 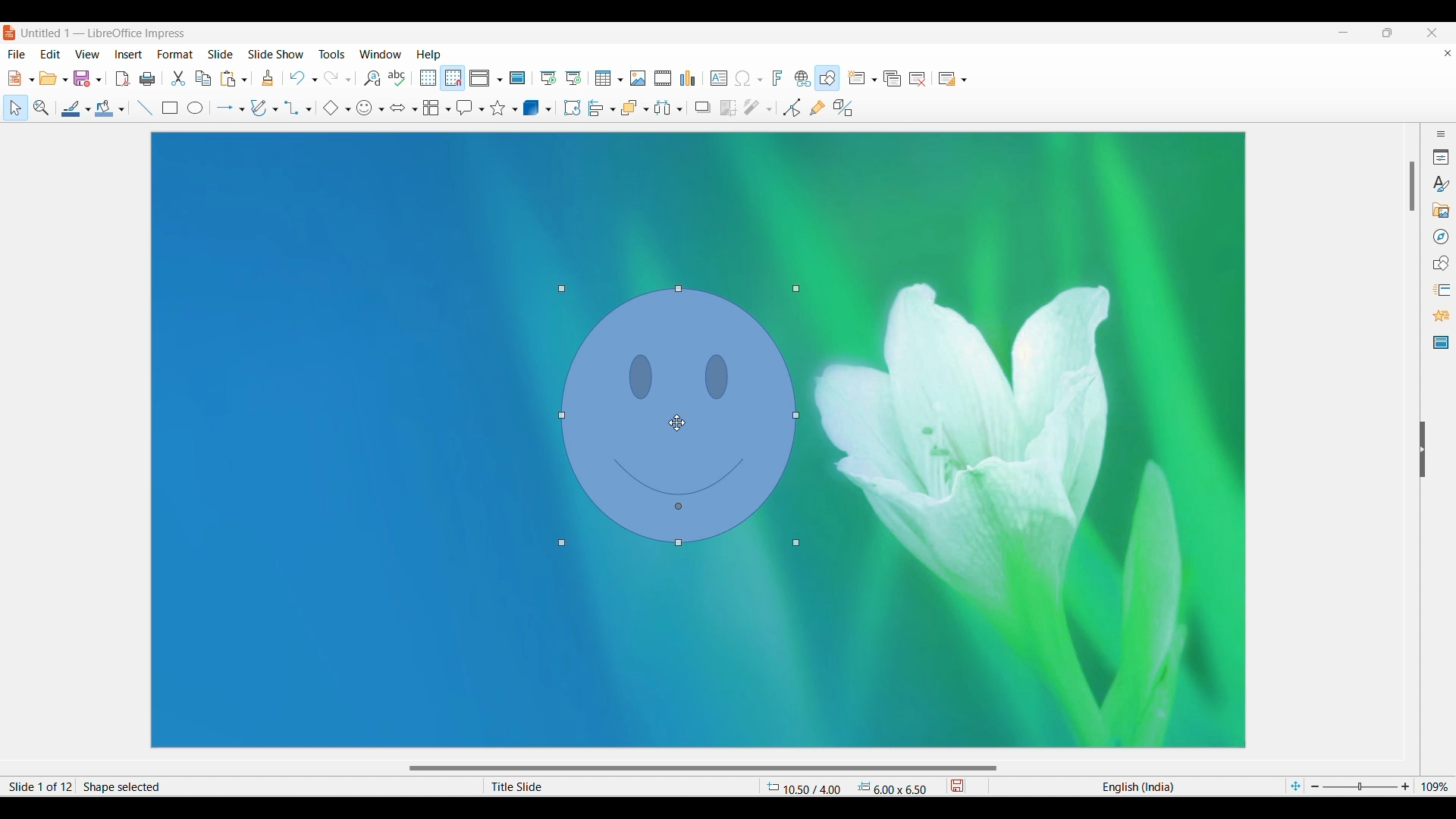 I want to click on Slider to zoom in/out, so click(x=1360, y=786).